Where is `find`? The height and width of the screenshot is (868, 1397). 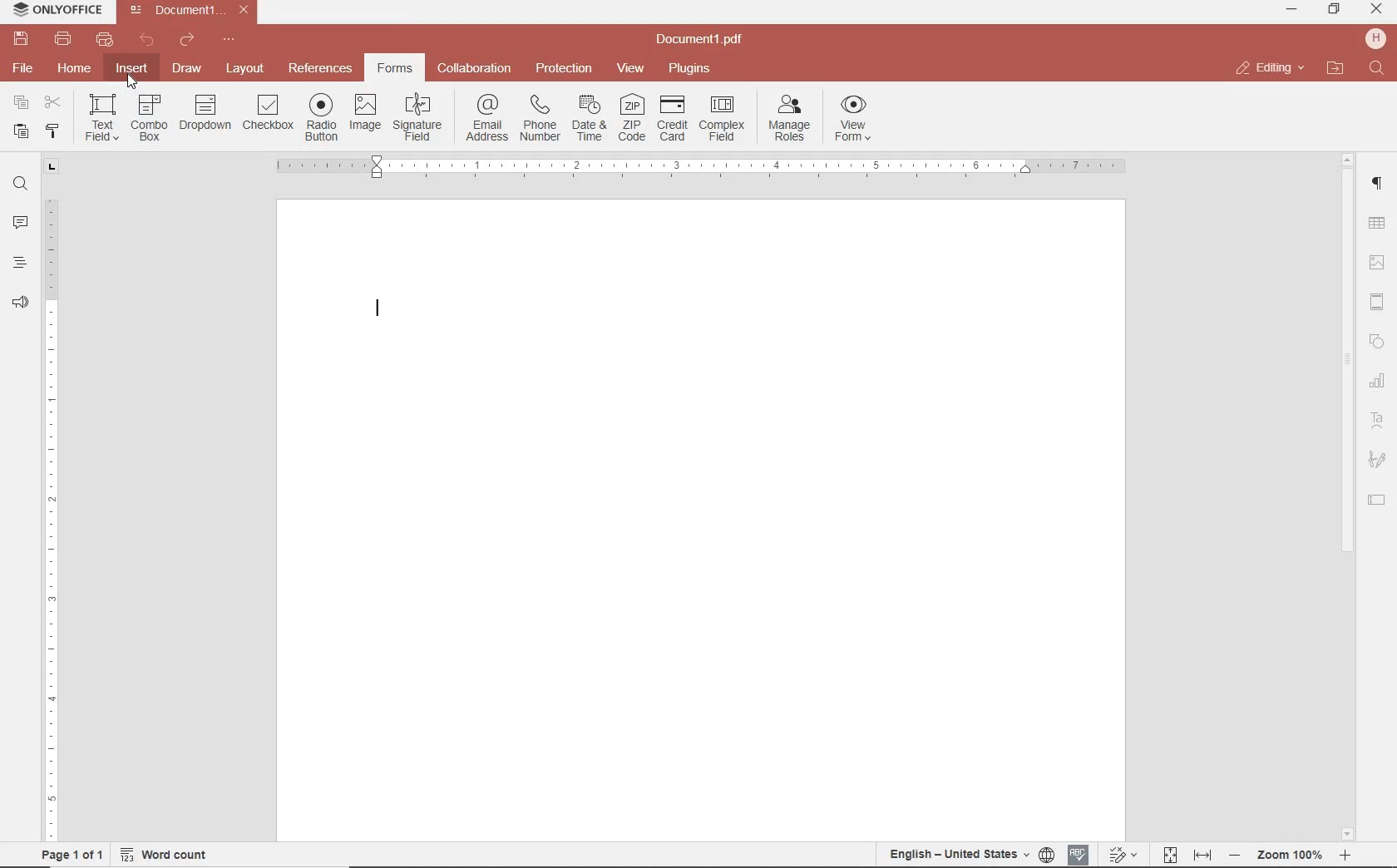
find is located at coordinates (20, 182).